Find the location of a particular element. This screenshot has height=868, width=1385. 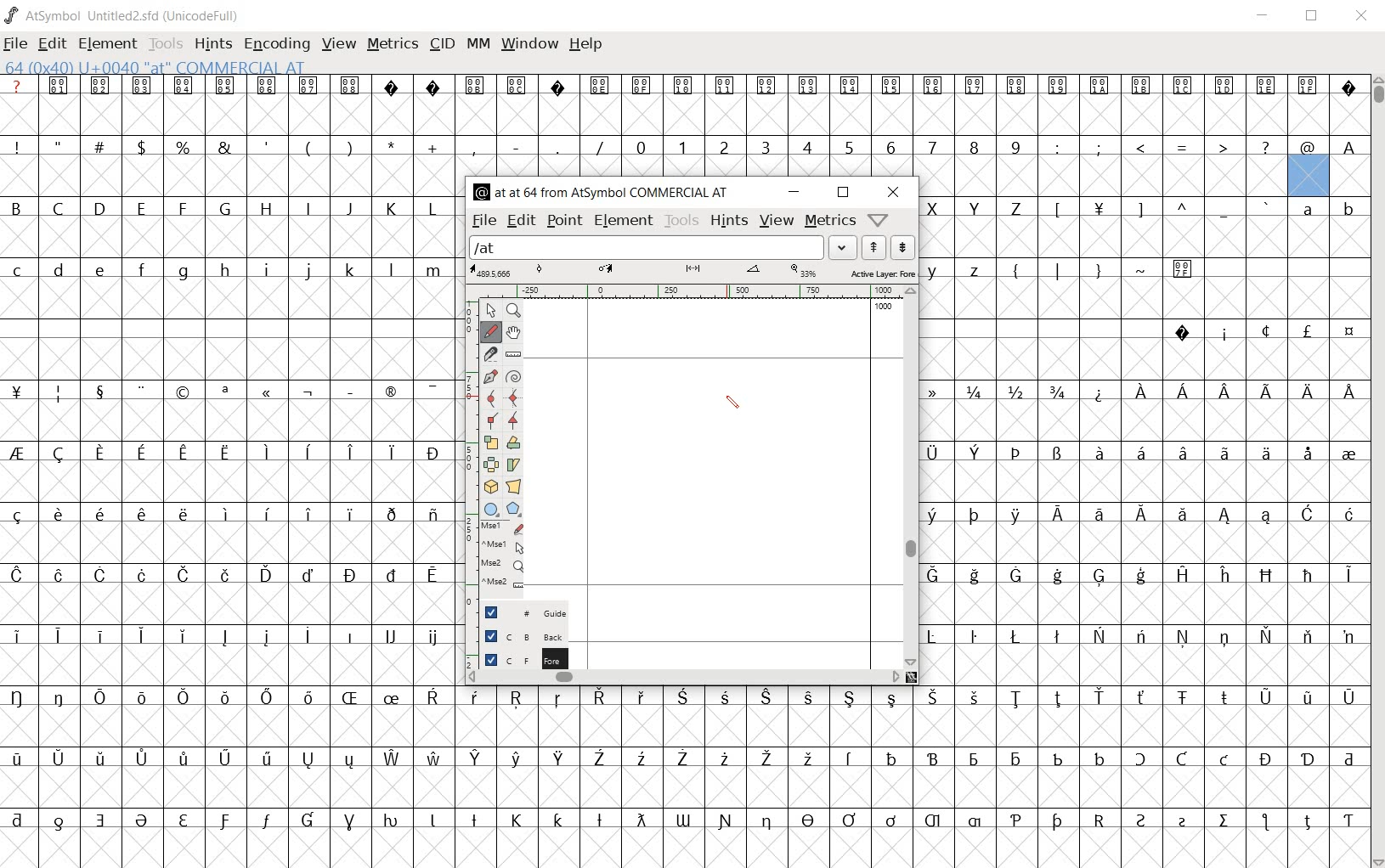

CID is located at coordinates (439, 43).